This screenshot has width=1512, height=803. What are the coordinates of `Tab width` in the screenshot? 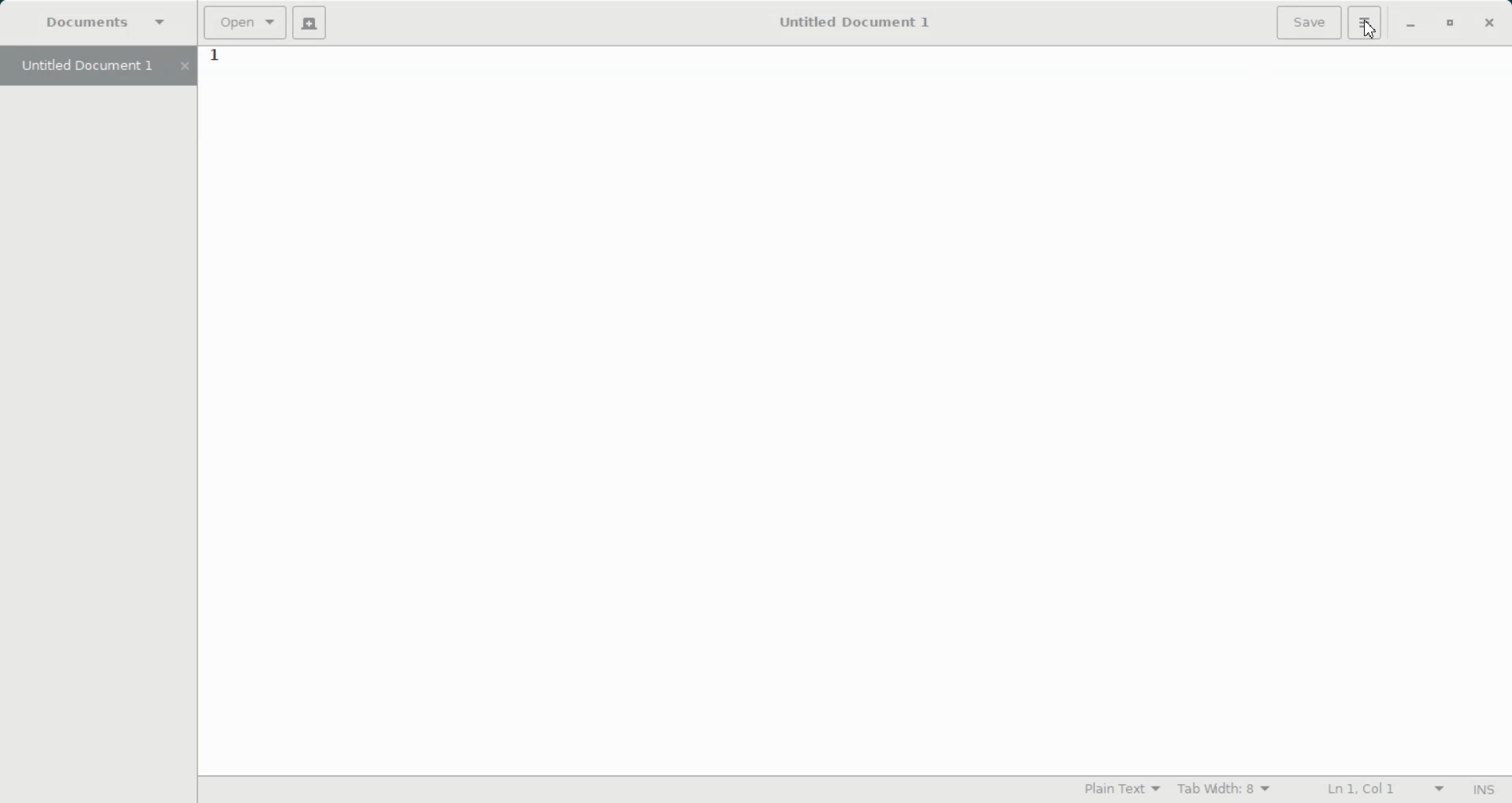 It's located at (1225, 788).